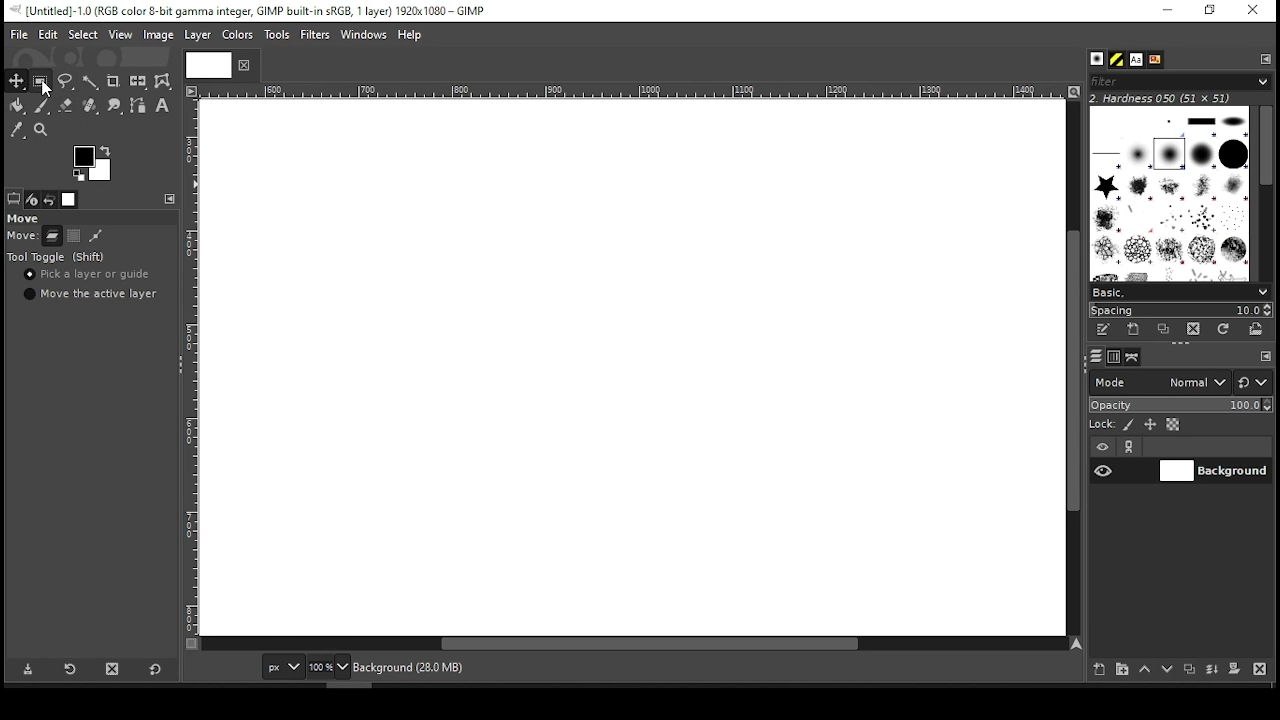 The width and height of the screenshot is (1280, 720). What do you see at coordinates (1169, 193) in the screenshot?
I see `brushes` at bounding box center [1169, 193].